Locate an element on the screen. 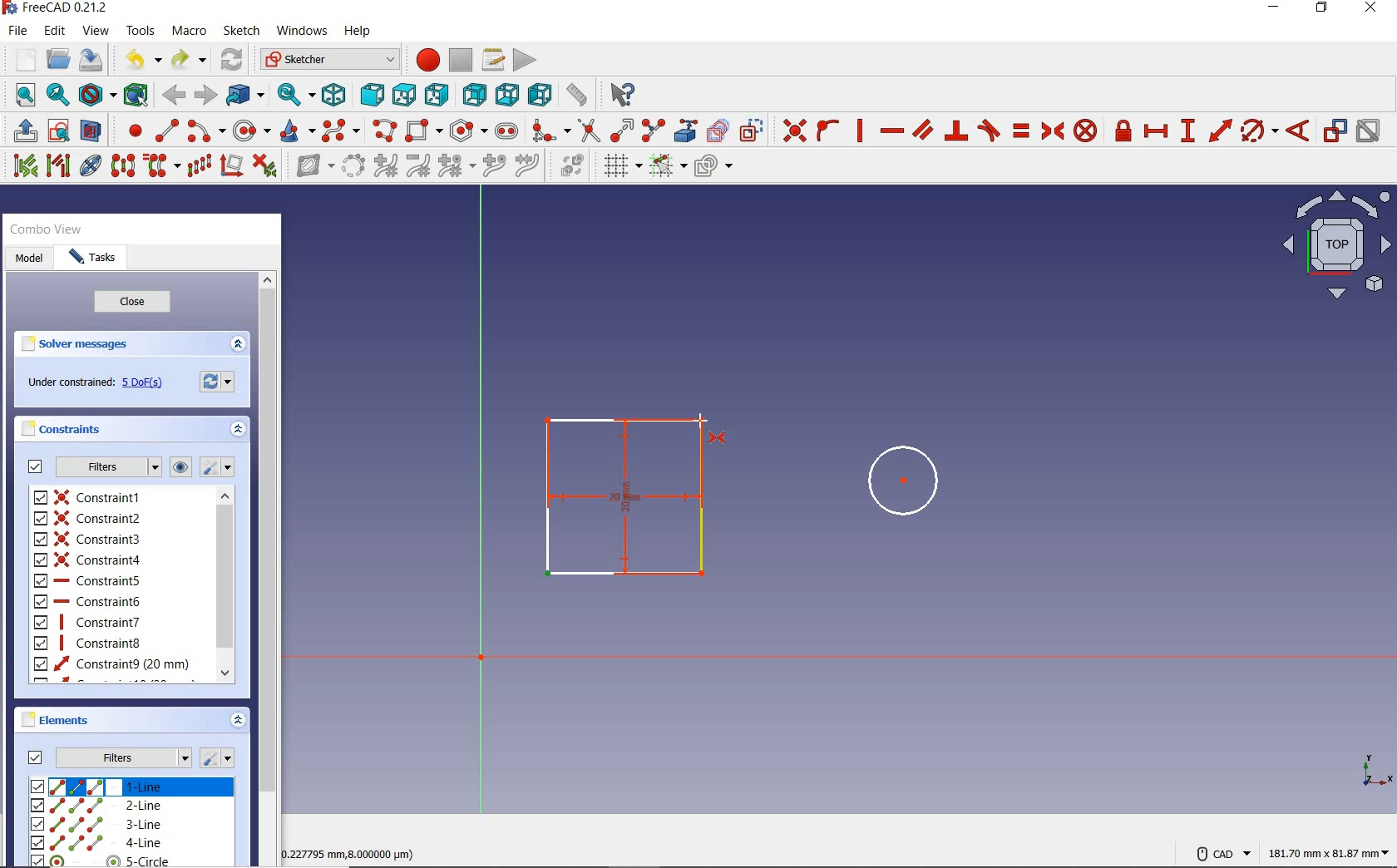 The image size is (1397, 868). constrain horizontal distance is located at coordinates (1157, 131).